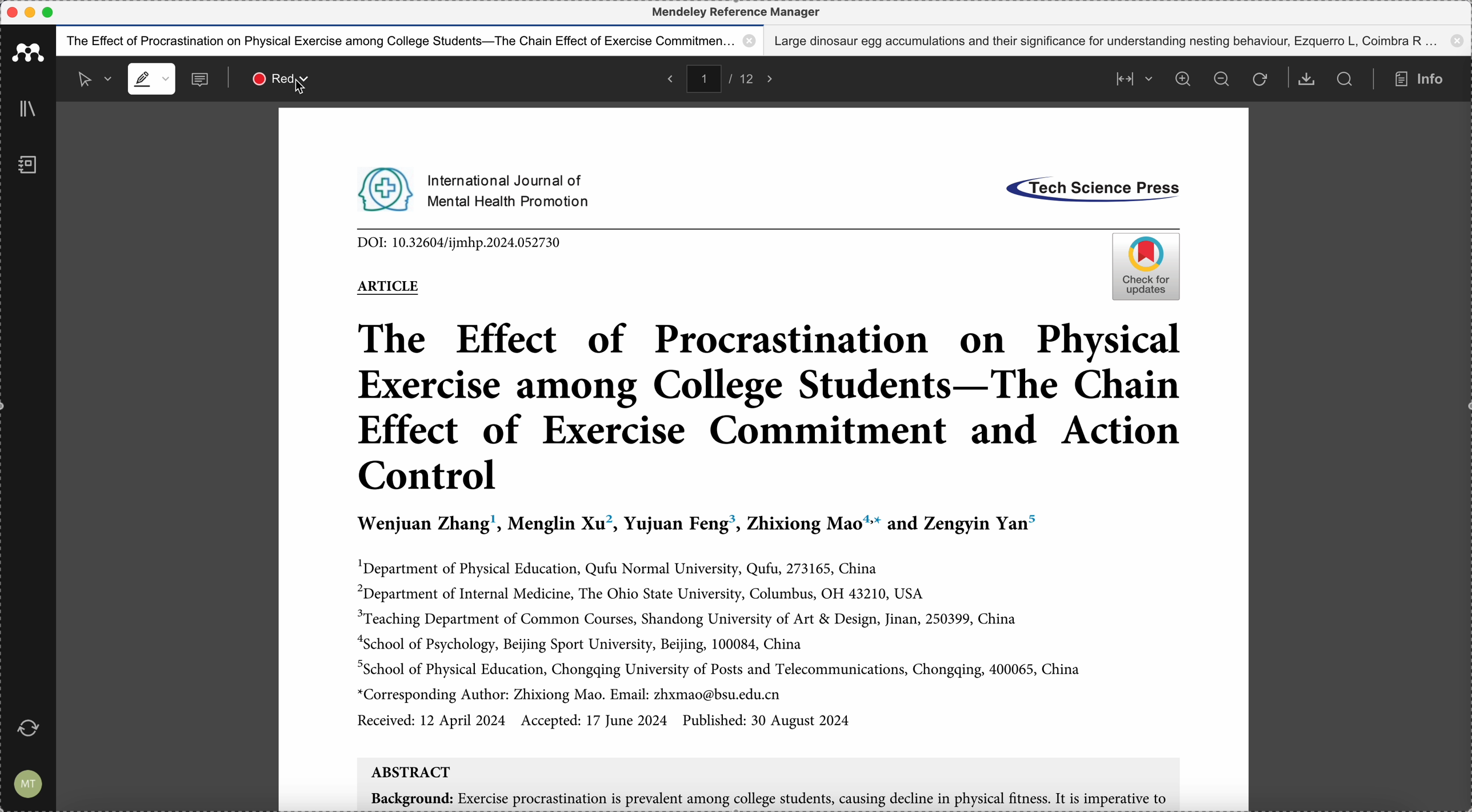  I want to click on minimize, so click(33, 12).